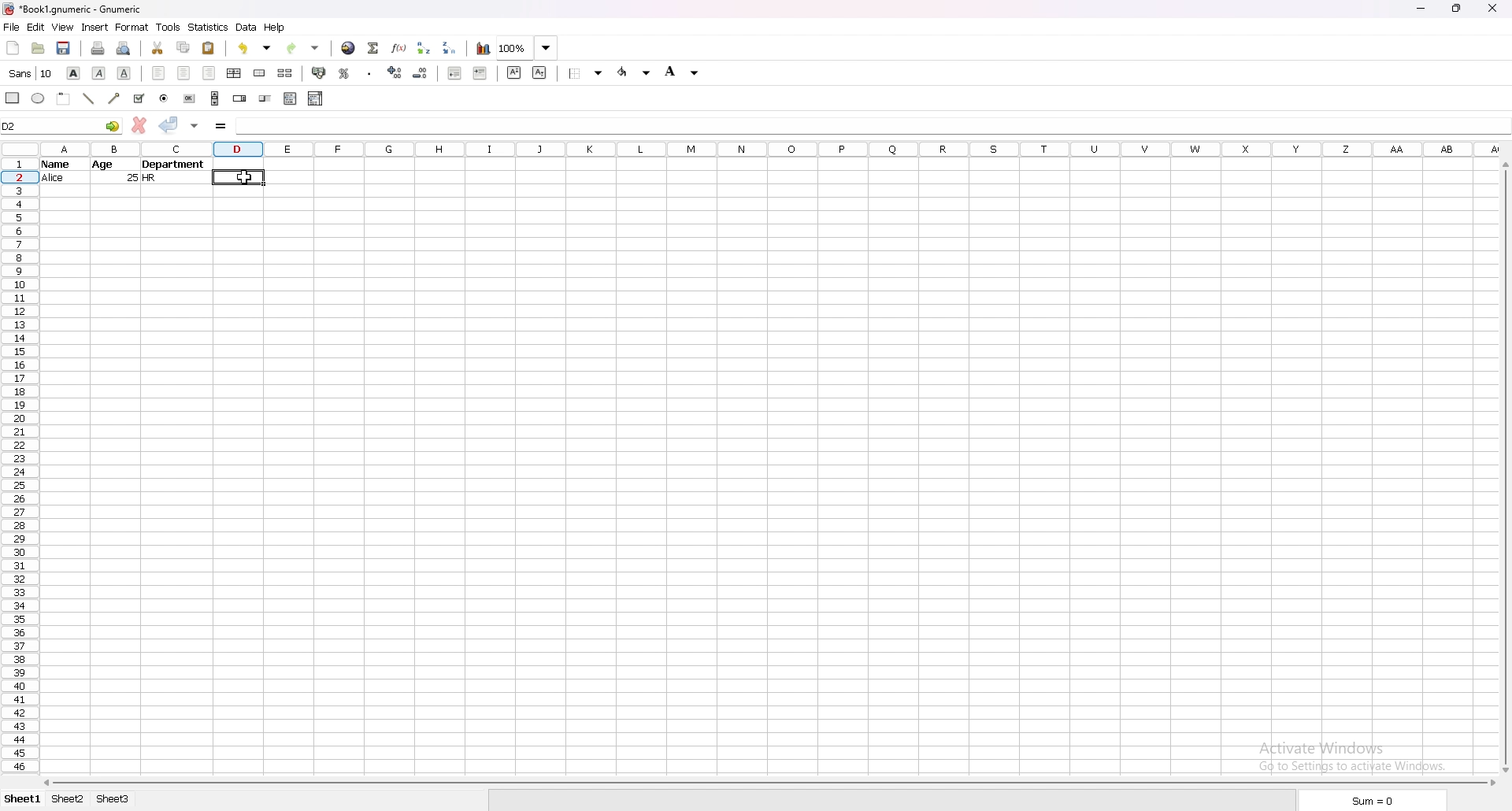 This screenshot has width=1512, height=811. What do you see at coordinates (98, 48) in the screenshot?
I see `print` at bounding box center [98, 48].